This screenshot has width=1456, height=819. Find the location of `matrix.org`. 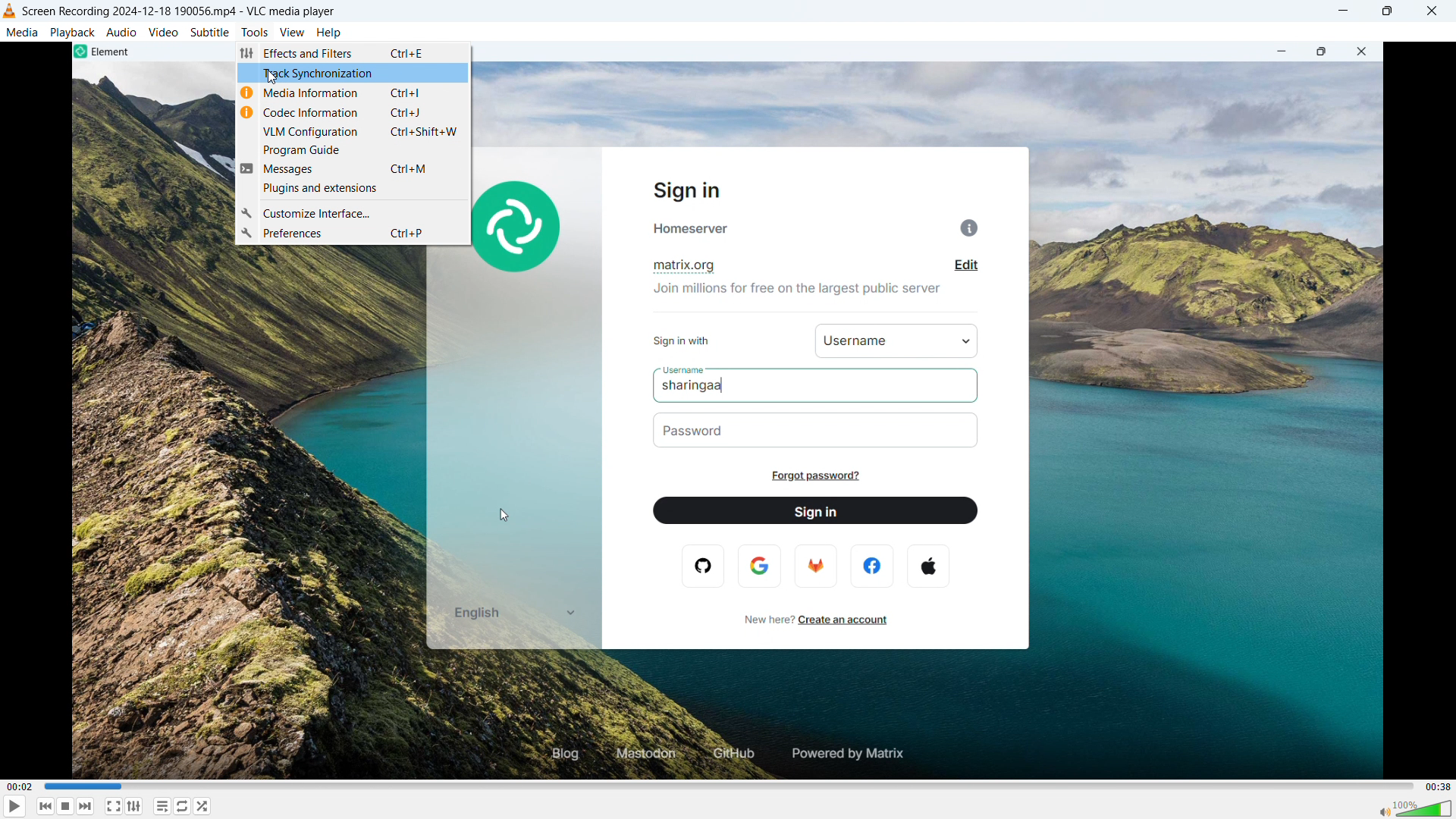

matrix.org is located at coordinates (688, 266).